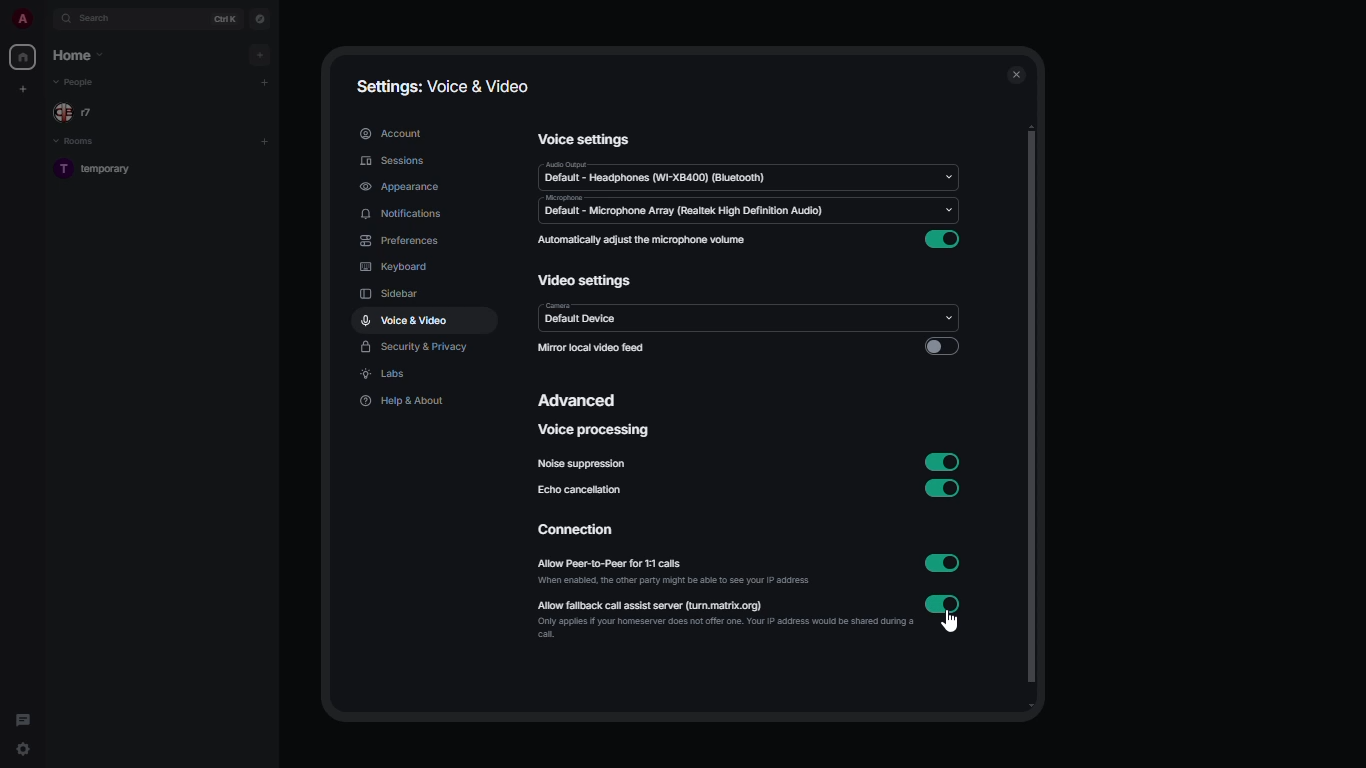 Image resolution: width=1366 pixels, height=768 pixels. What do you see at coordinates (943, 605) in the screenshot?
I see `enabled` at bounding box center [943, 605].